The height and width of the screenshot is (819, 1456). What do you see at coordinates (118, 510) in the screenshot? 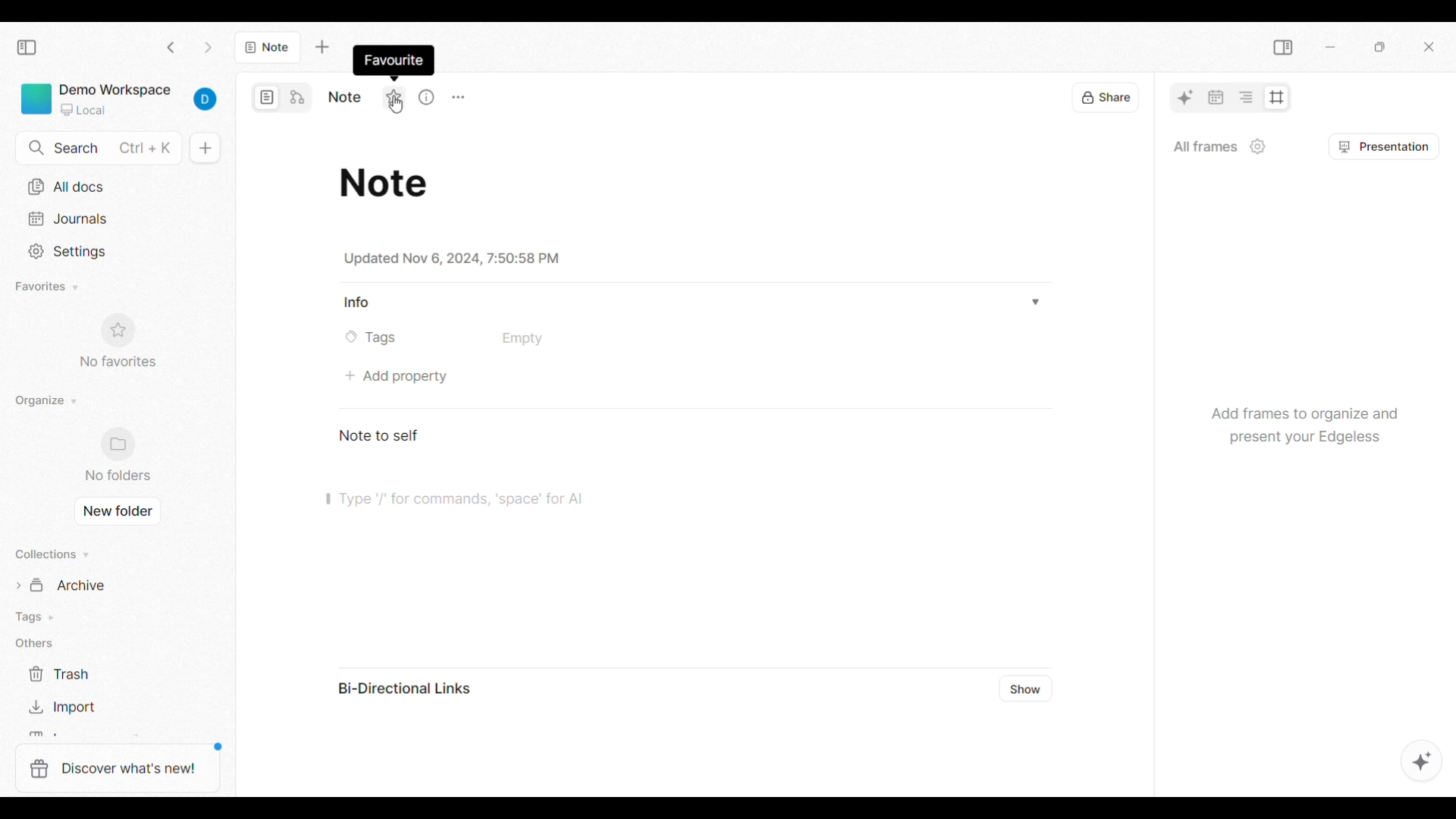
I see `new folder` at bounding box center [118, 510].